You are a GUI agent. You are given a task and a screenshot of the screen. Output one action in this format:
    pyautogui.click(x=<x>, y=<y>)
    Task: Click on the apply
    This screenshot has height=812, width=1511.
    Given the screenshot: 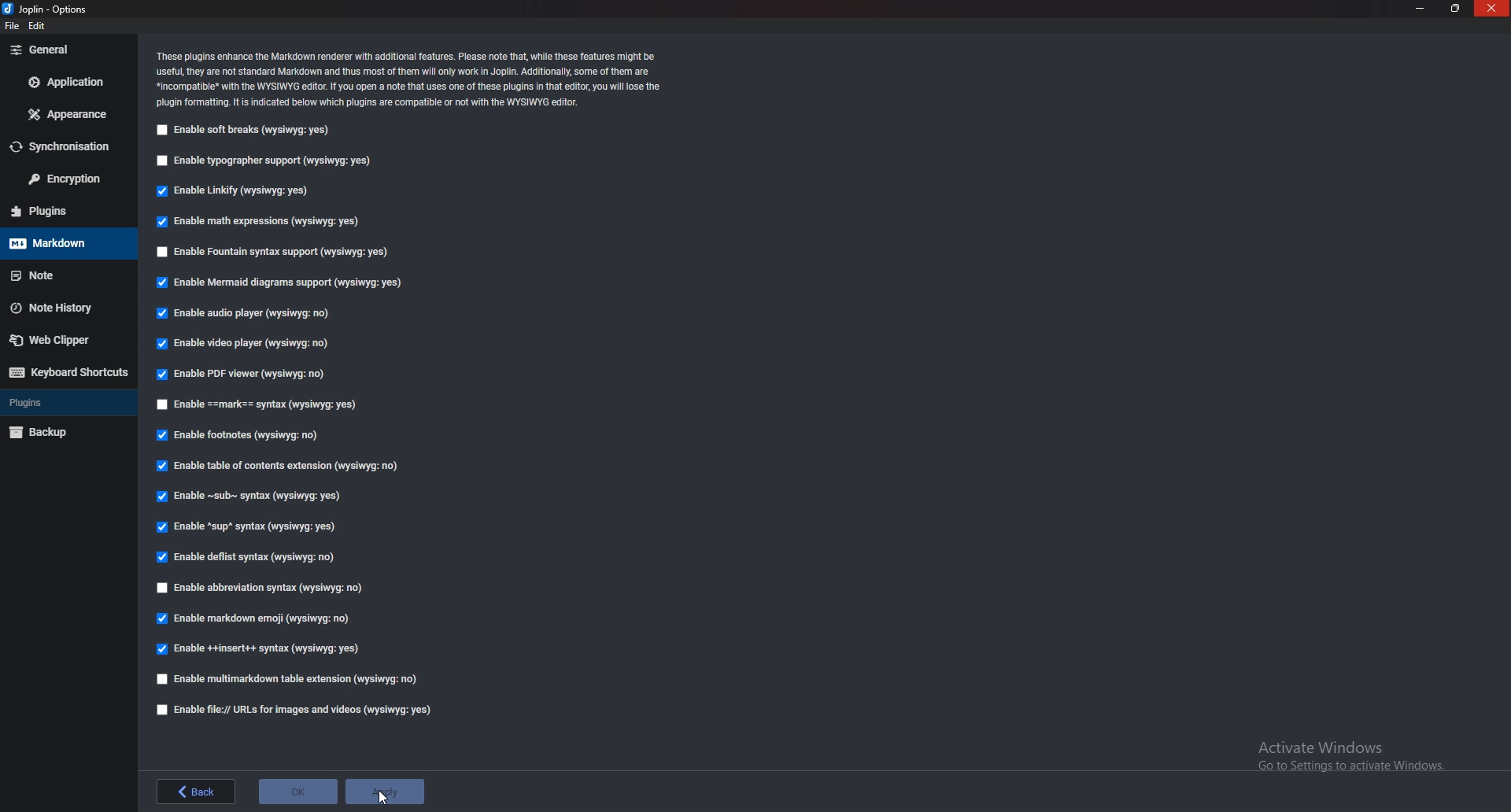 What is the action you would take?
    pyautogui.click(x=385, y=792)
    